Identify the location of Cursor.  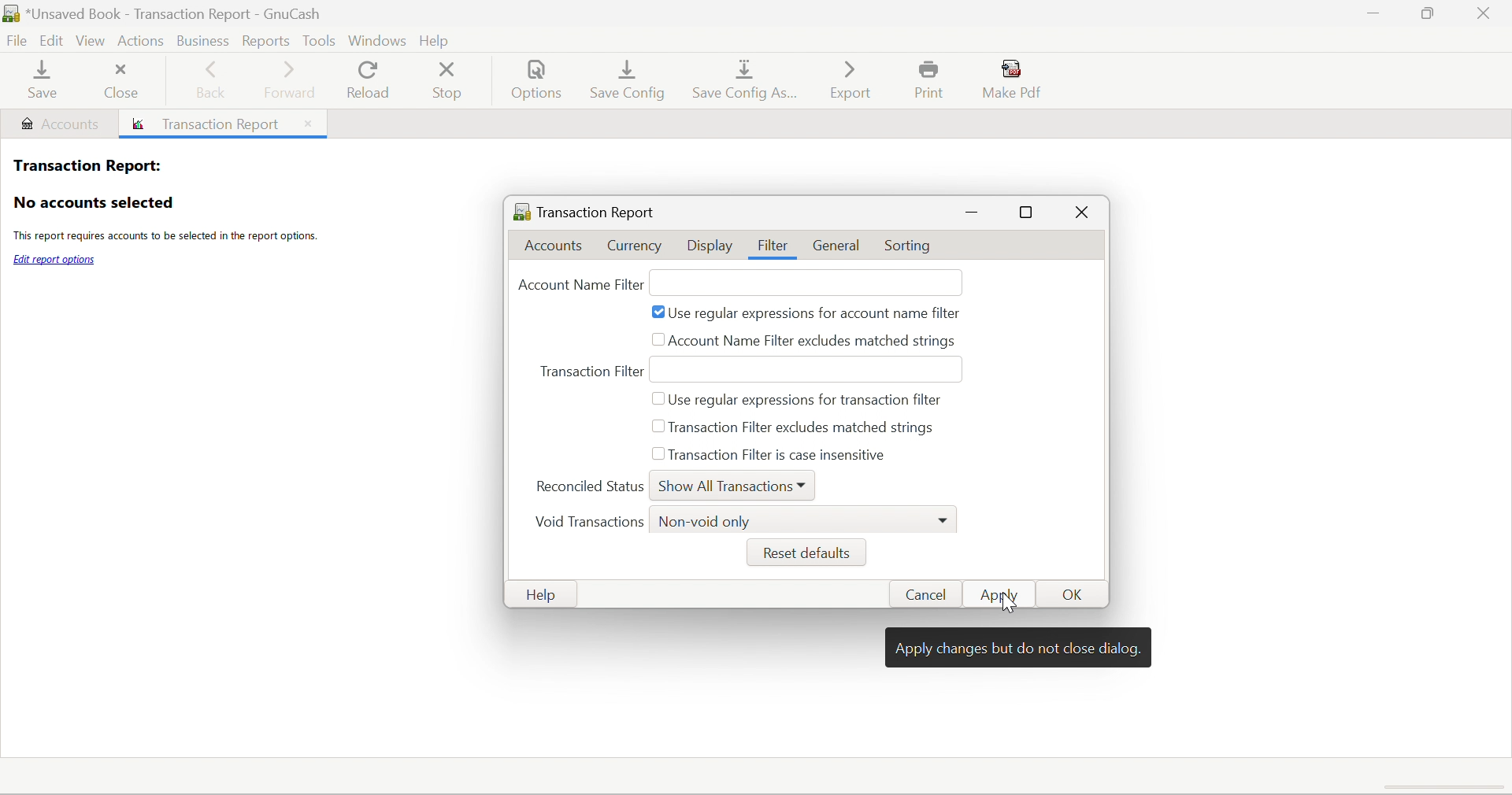
(1010, 603).